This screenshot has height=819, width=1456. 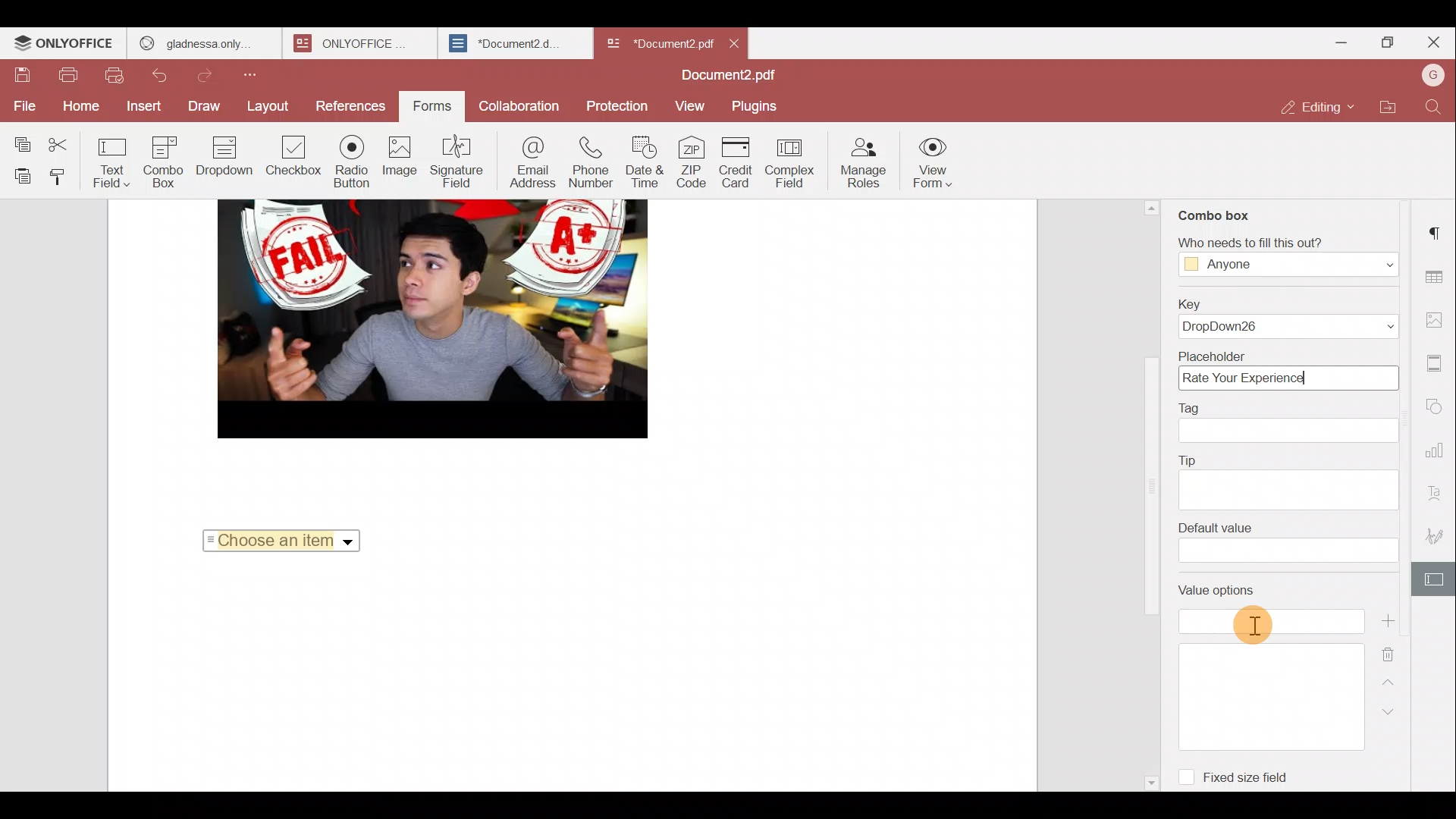 What do you see at coordinates (1383, 44) in the screenshot?
I see `Maximize` at bounding box center [1383, 44].